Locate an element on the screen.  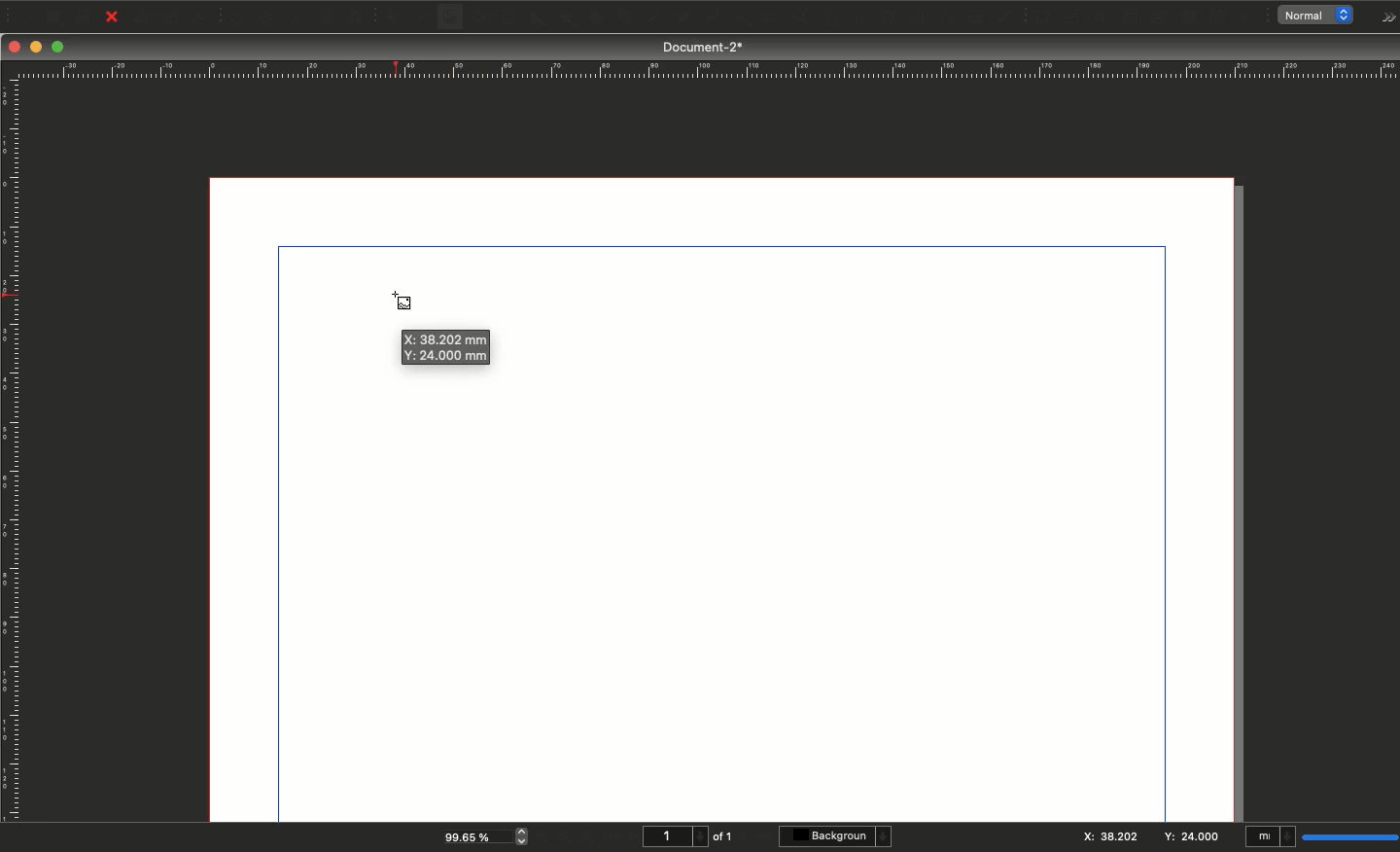
Arc is located at coordinates (595, 18).